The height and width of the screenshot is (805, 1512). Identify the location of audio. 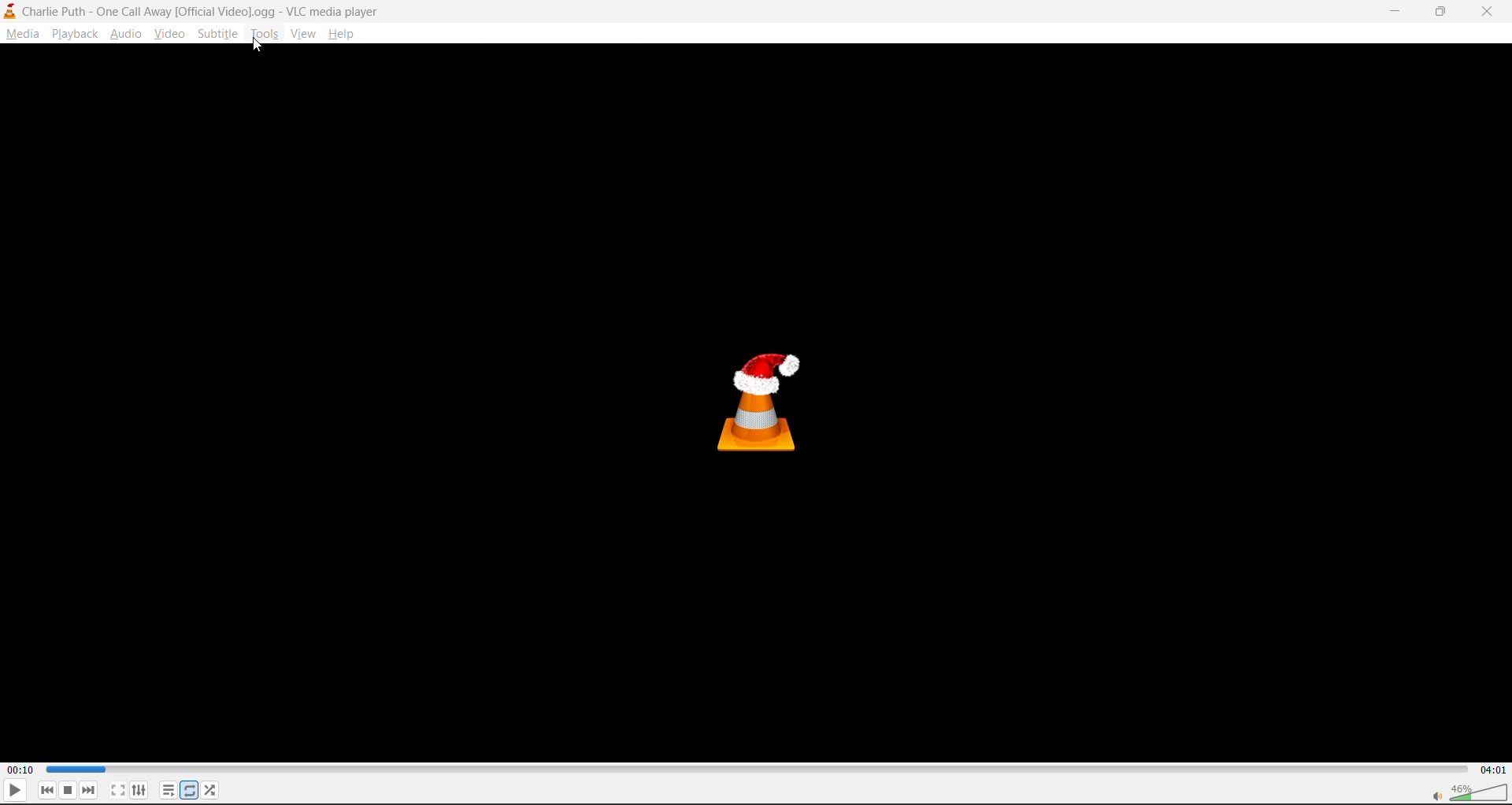
(126, 34).